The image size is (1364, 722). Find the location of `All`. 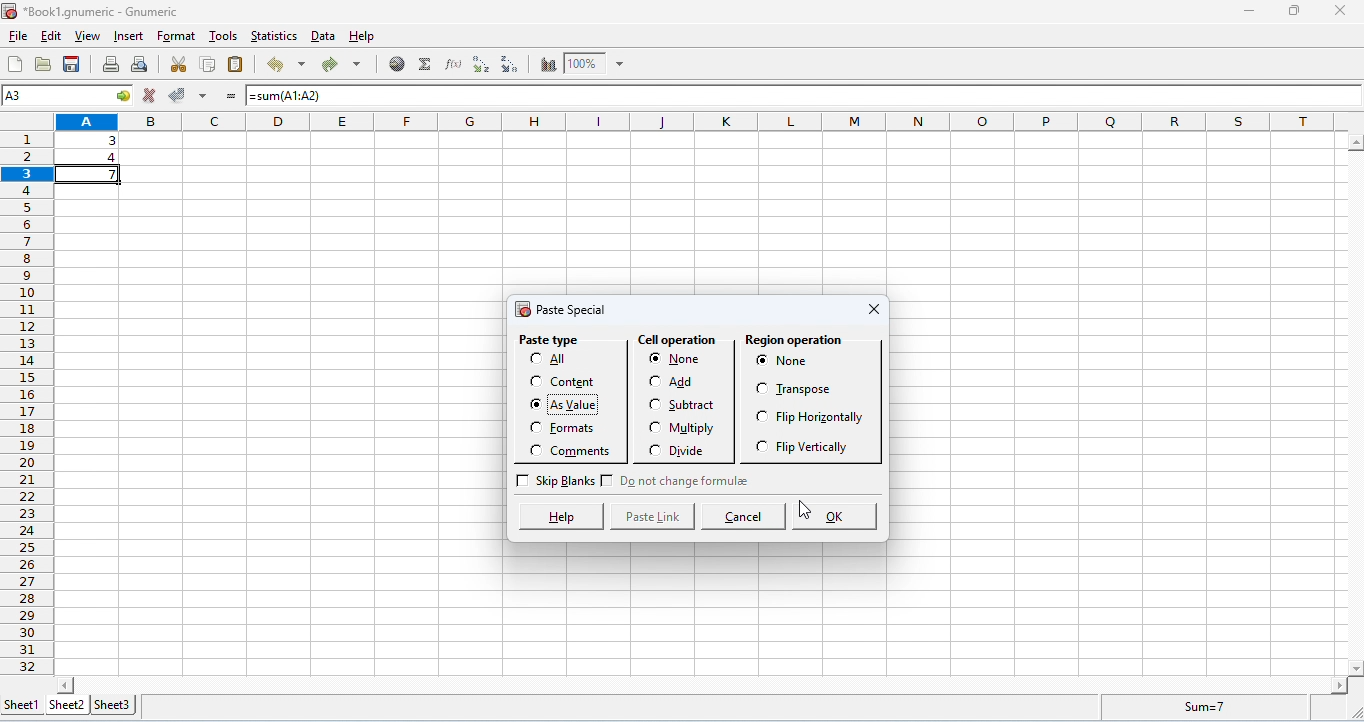

All is located at coordinates (558, 358).